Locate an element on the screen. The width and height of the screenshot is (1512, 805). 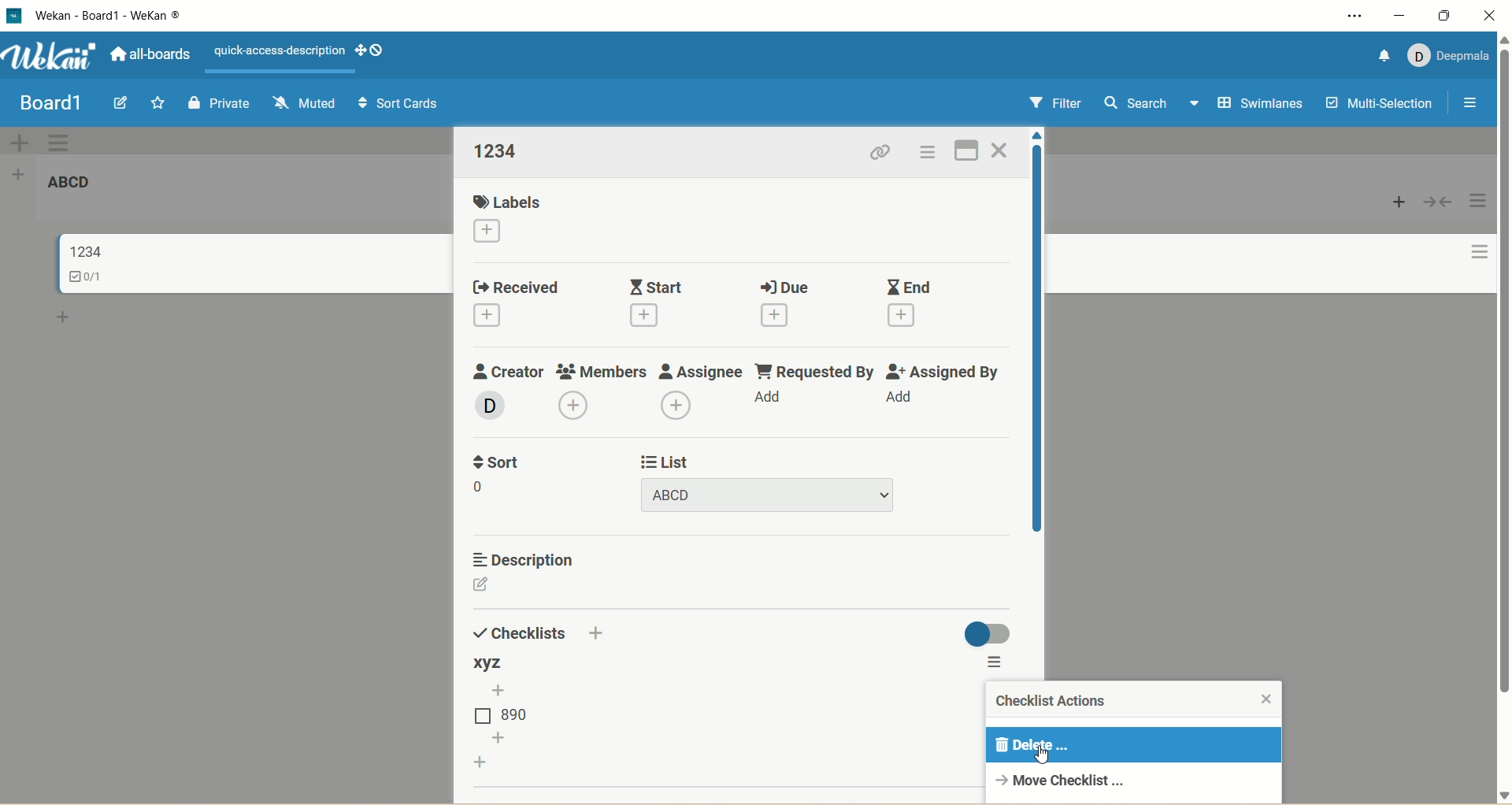
options is located at coordinates (937, 152).